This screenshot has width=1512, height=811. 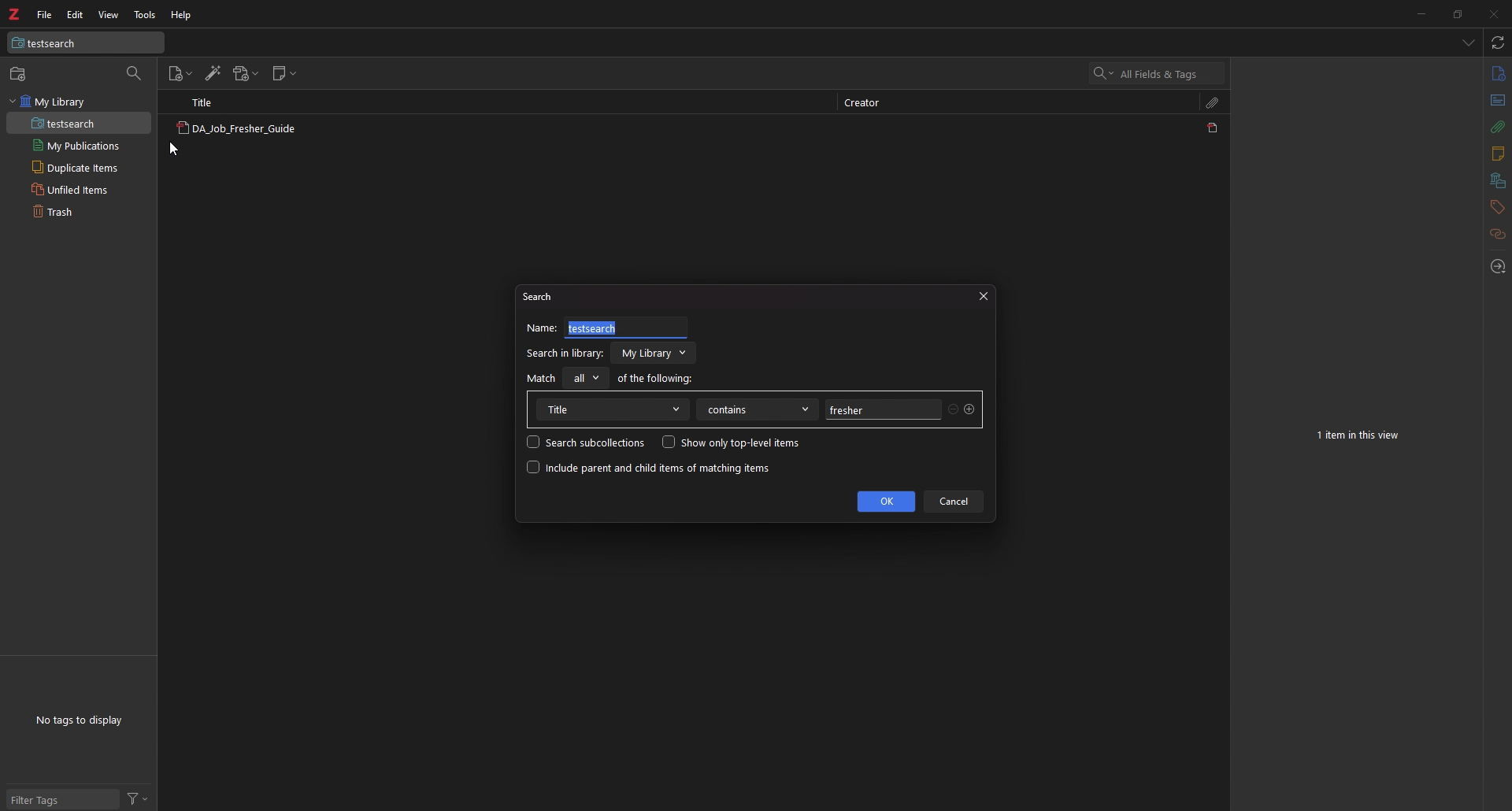 I want to click on title, so click(x=612, y=409).